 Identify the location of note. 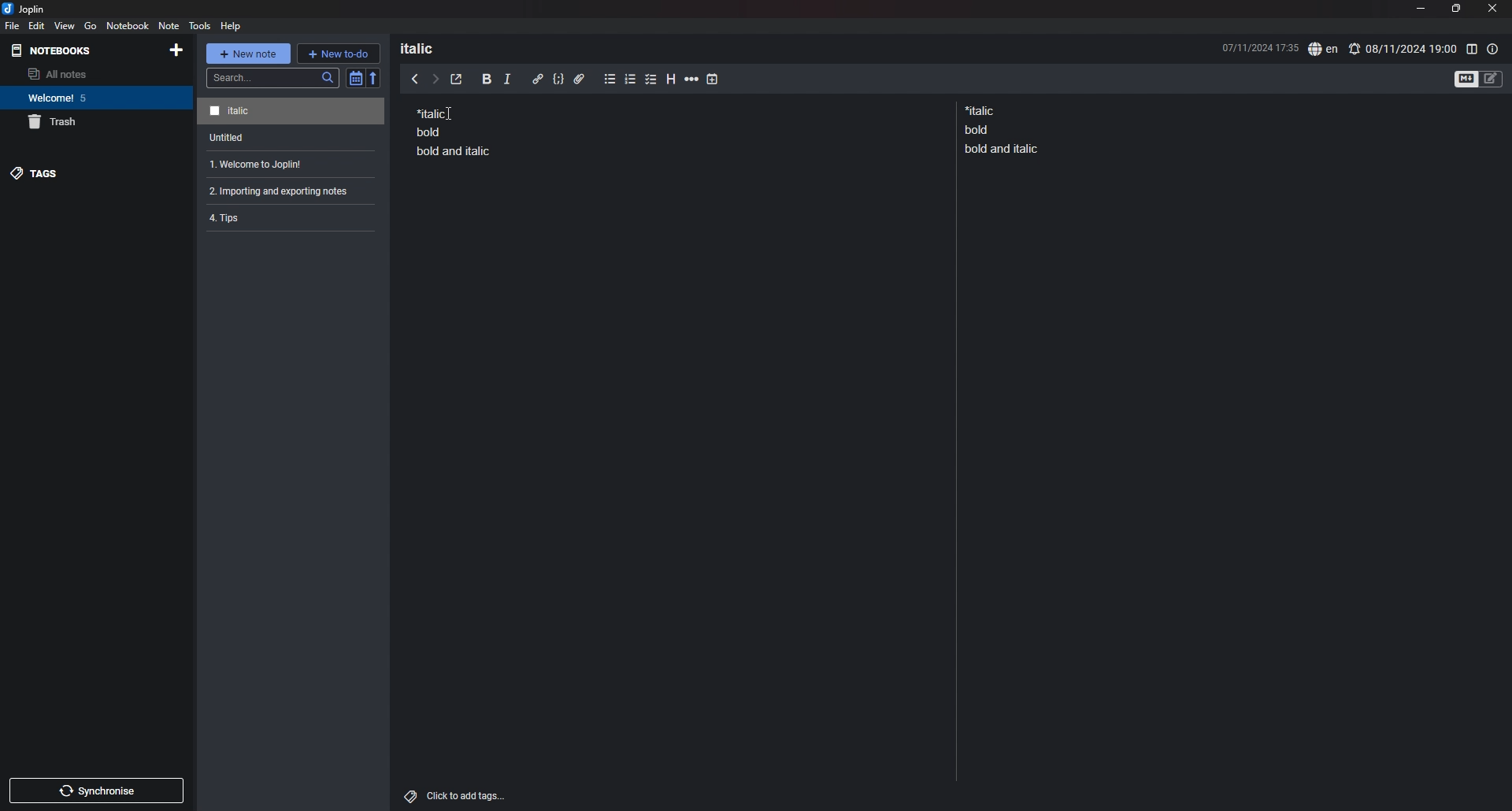
(168, 25).